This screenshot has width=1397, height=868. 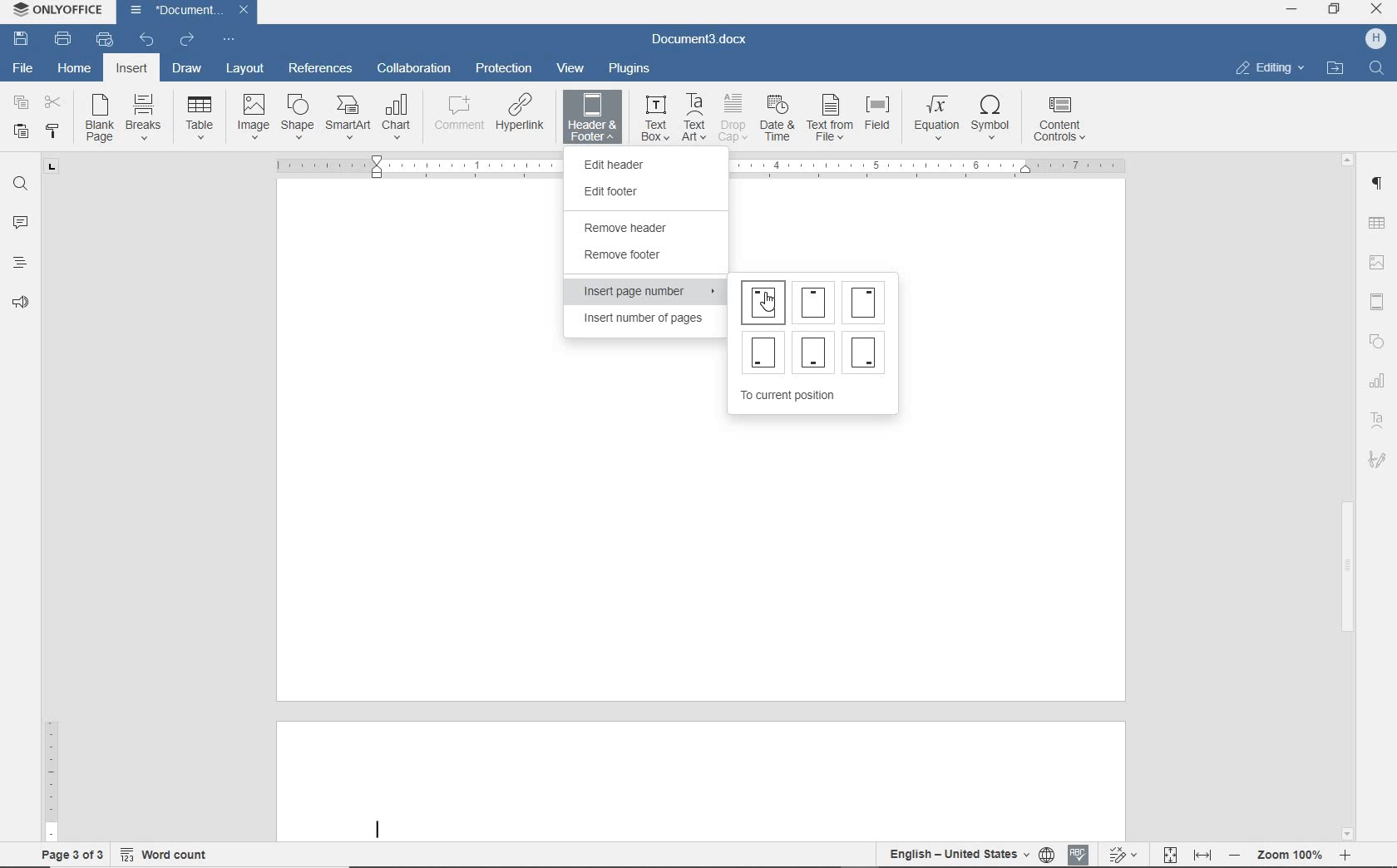 What do you see at coordinates (592, 118) in the screenshot?
I see `HEADER & FOOTER` at bounding box center [592, 118].